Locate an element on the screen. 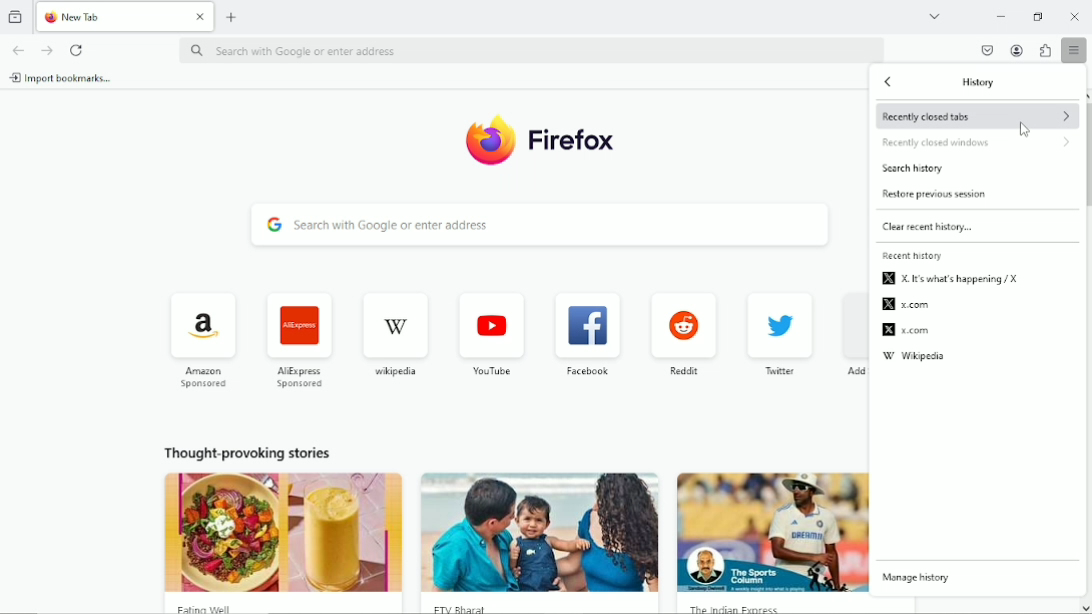 Image resolution: width=1092 pixels, height=614 pixels. icon is located at coordinates (580, 327).